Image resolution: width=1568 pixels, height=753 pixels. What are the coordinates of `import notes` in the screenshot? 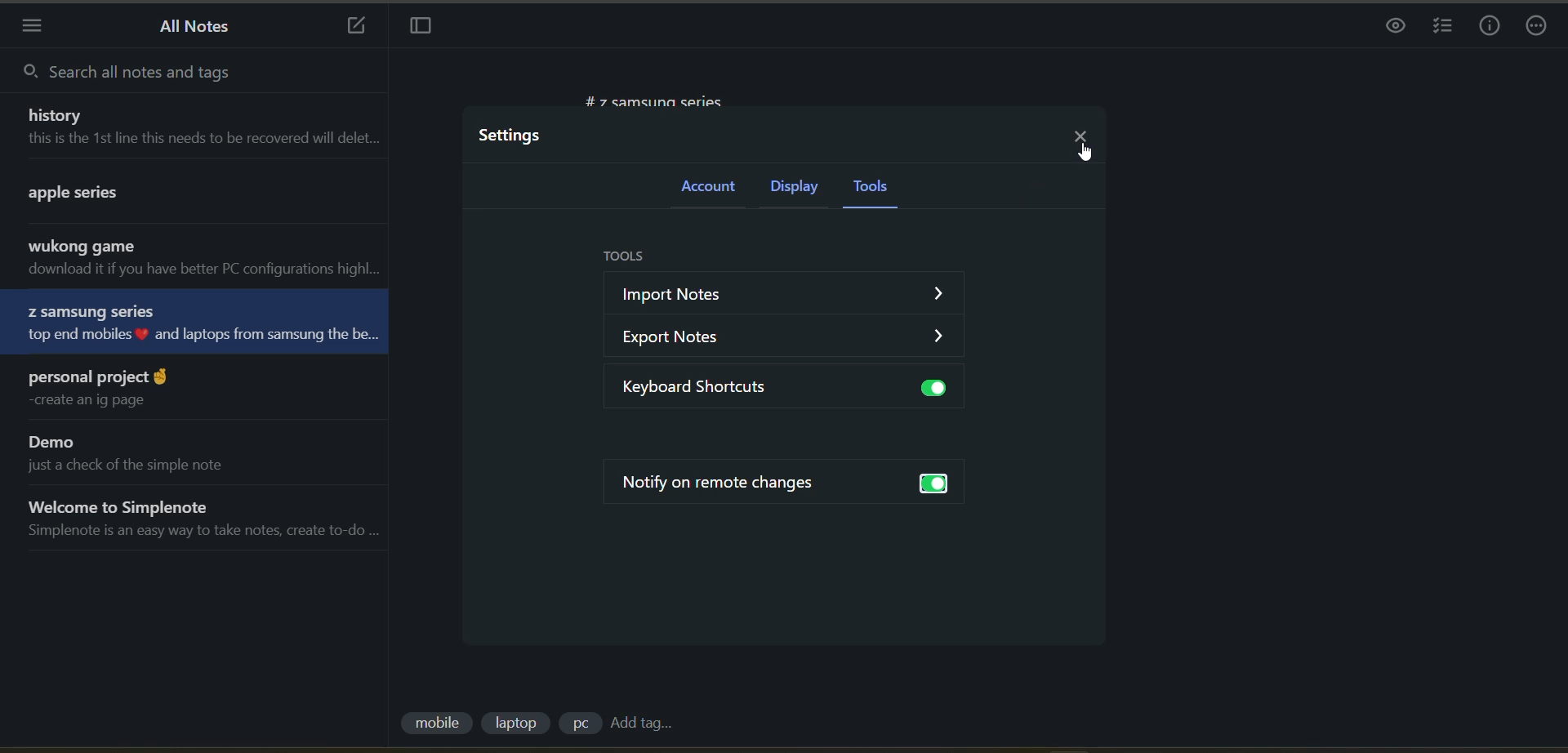 It's located at (779, 294).